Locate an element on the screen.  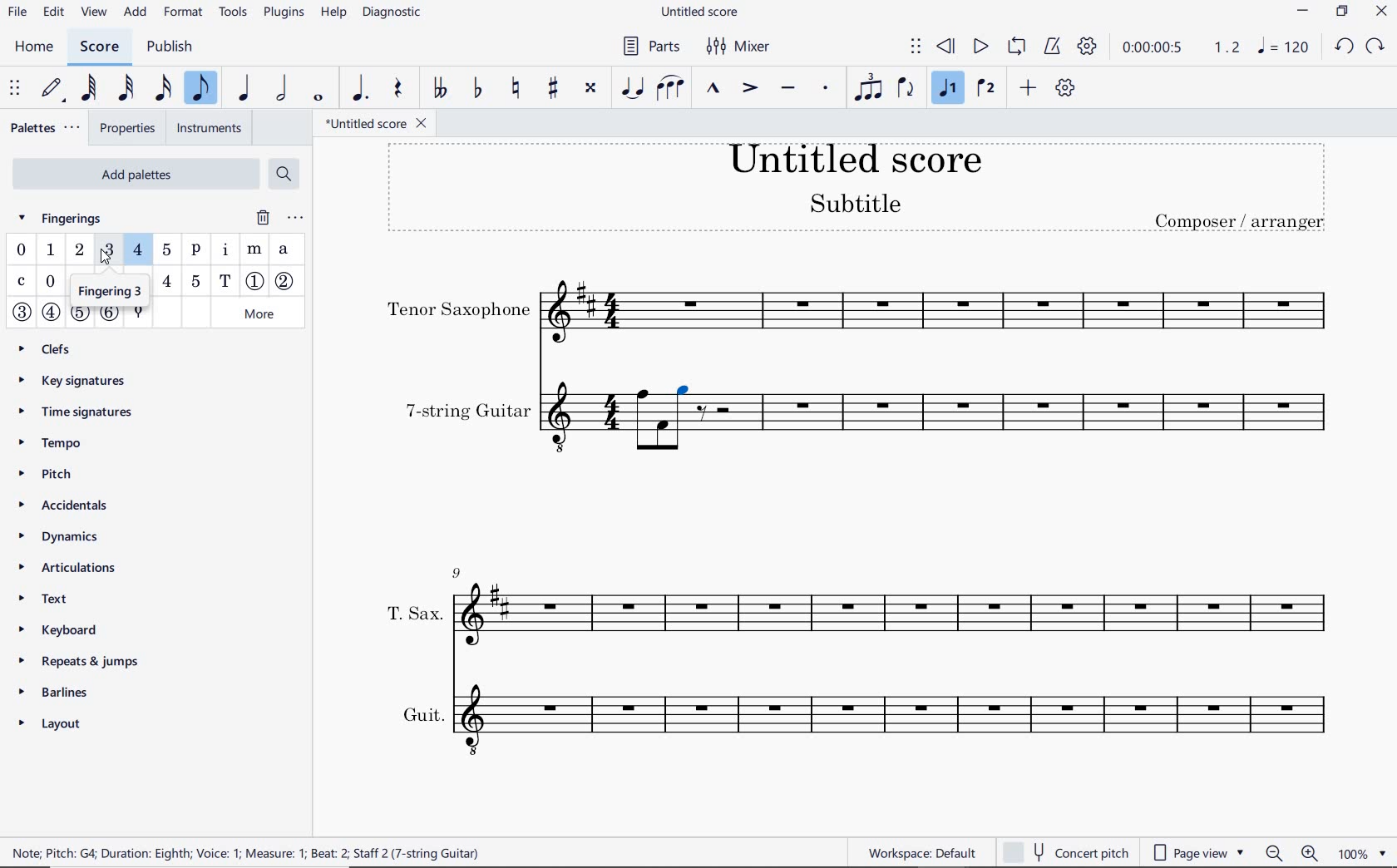
string numbers is located at coordinates (67, 317).